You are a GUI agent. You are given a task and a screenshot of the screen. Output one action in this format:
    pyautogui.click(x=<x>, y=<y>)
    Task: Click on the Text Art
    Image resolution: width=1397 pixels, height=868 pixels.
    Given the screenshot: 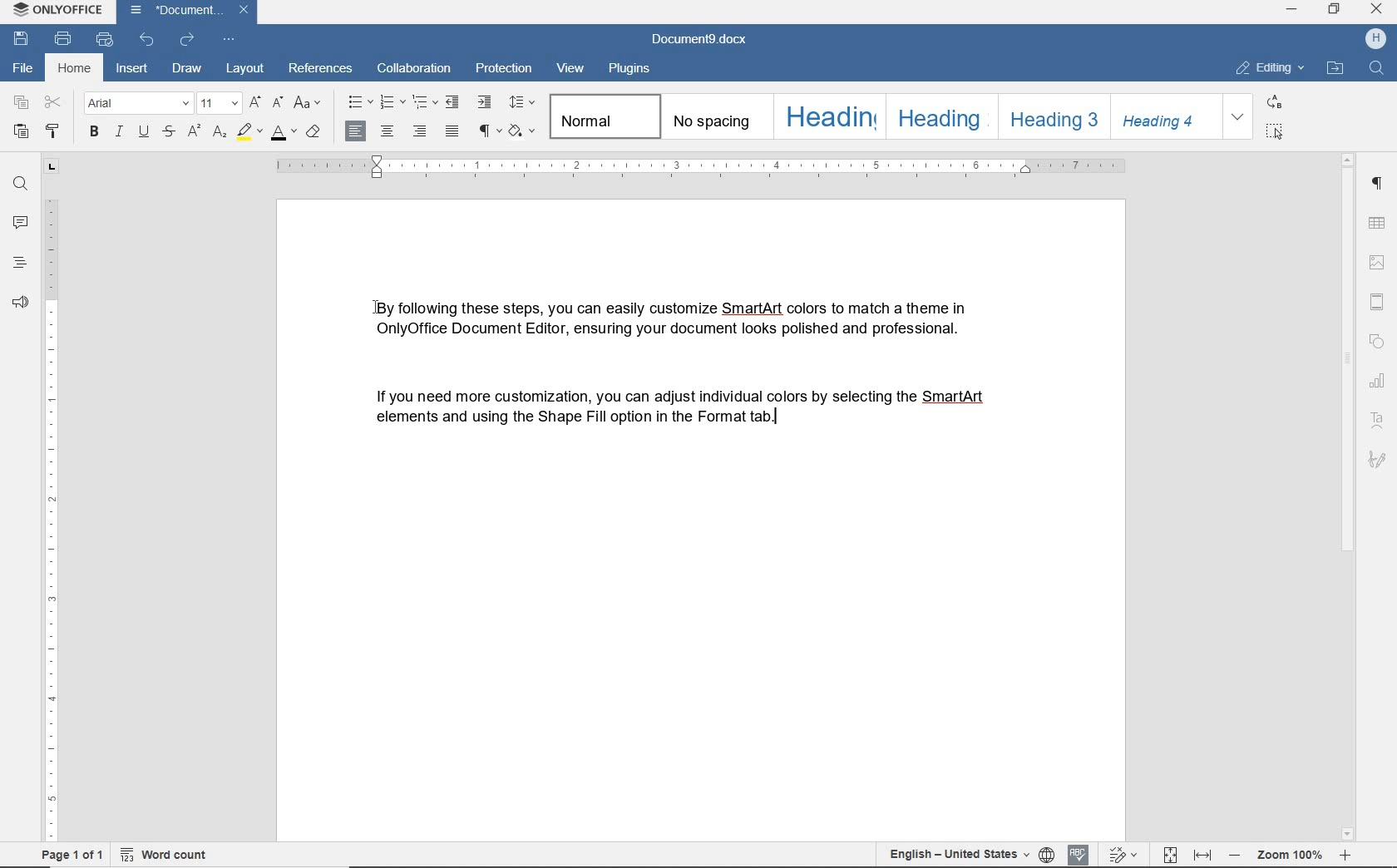 What is the action you would take?
    pyautogui.click(x=1377, y=418)
    